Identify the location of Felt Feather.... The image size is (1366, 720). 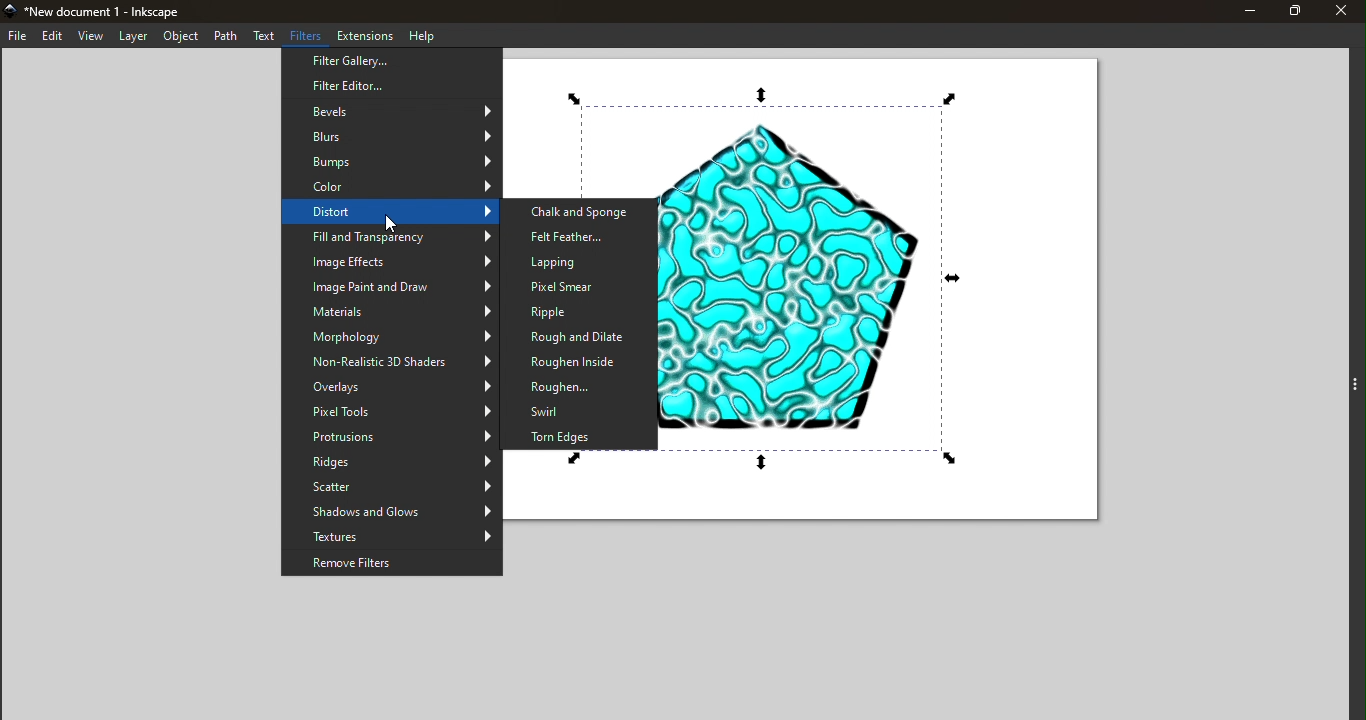
(581, 235).